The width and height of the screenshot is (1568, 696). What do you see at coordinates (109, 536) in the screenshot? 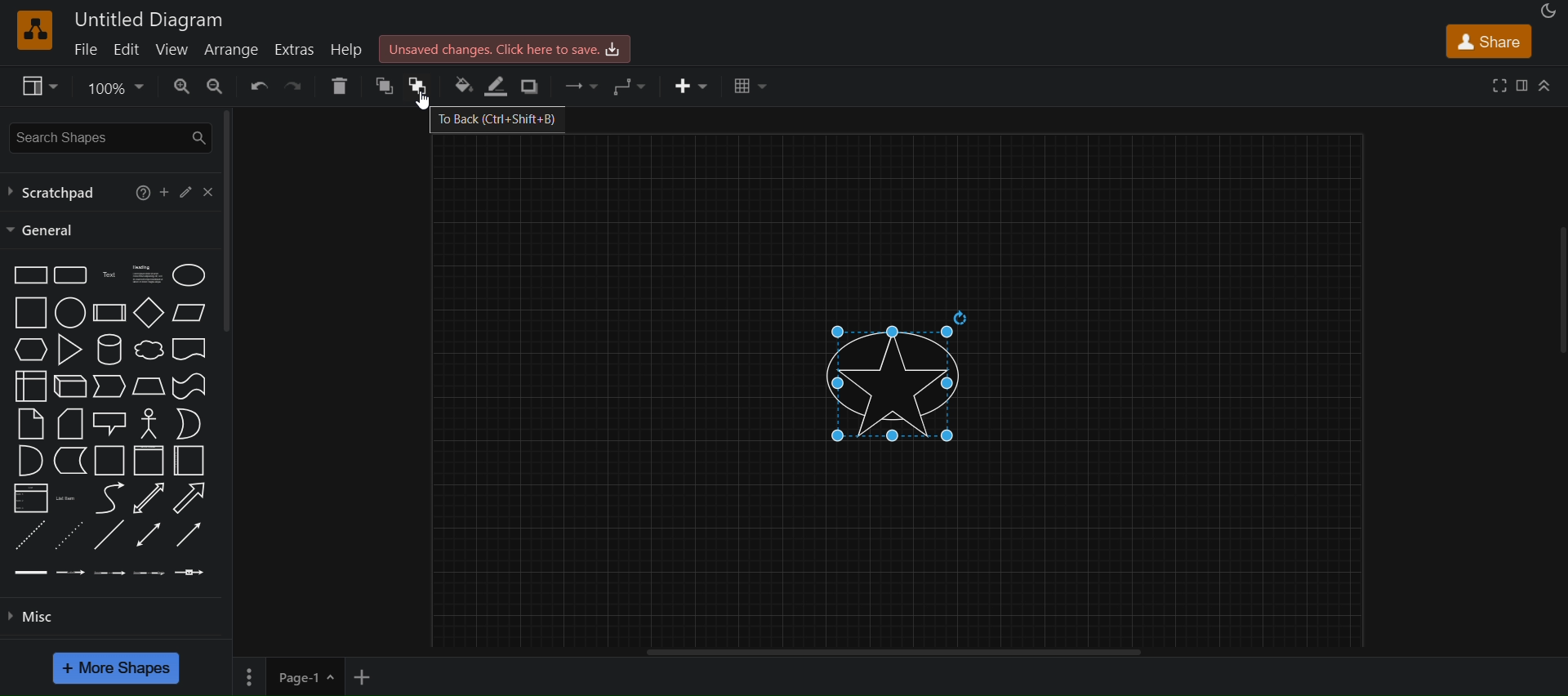
I see `link ` at bounding box center [109, 536].